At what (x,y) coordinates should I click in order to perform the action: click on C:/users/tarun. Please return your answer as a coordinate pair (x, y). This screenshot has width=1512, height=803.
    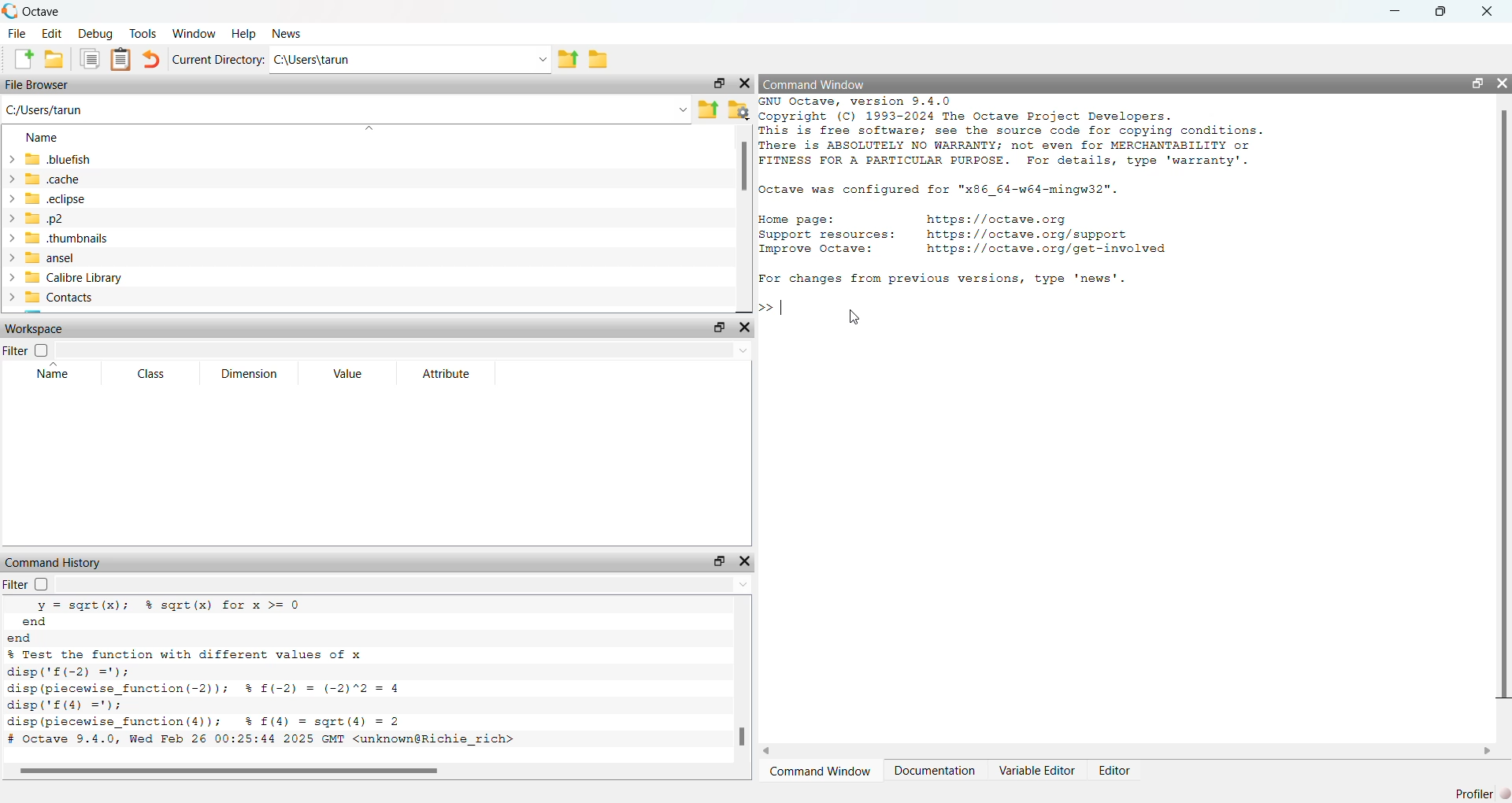
    Looking at the image, I should click on (410, 60).